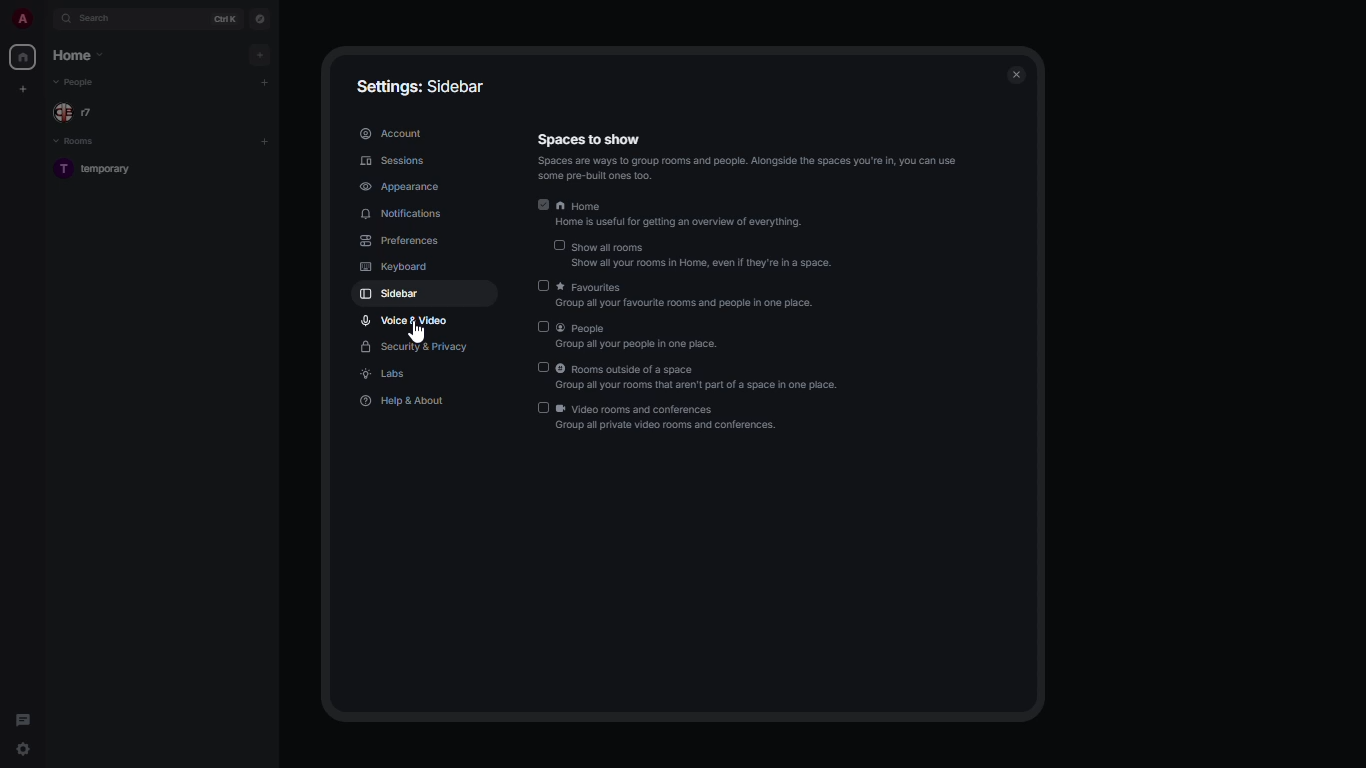  I want to click on keyboard, so click(395, 266).